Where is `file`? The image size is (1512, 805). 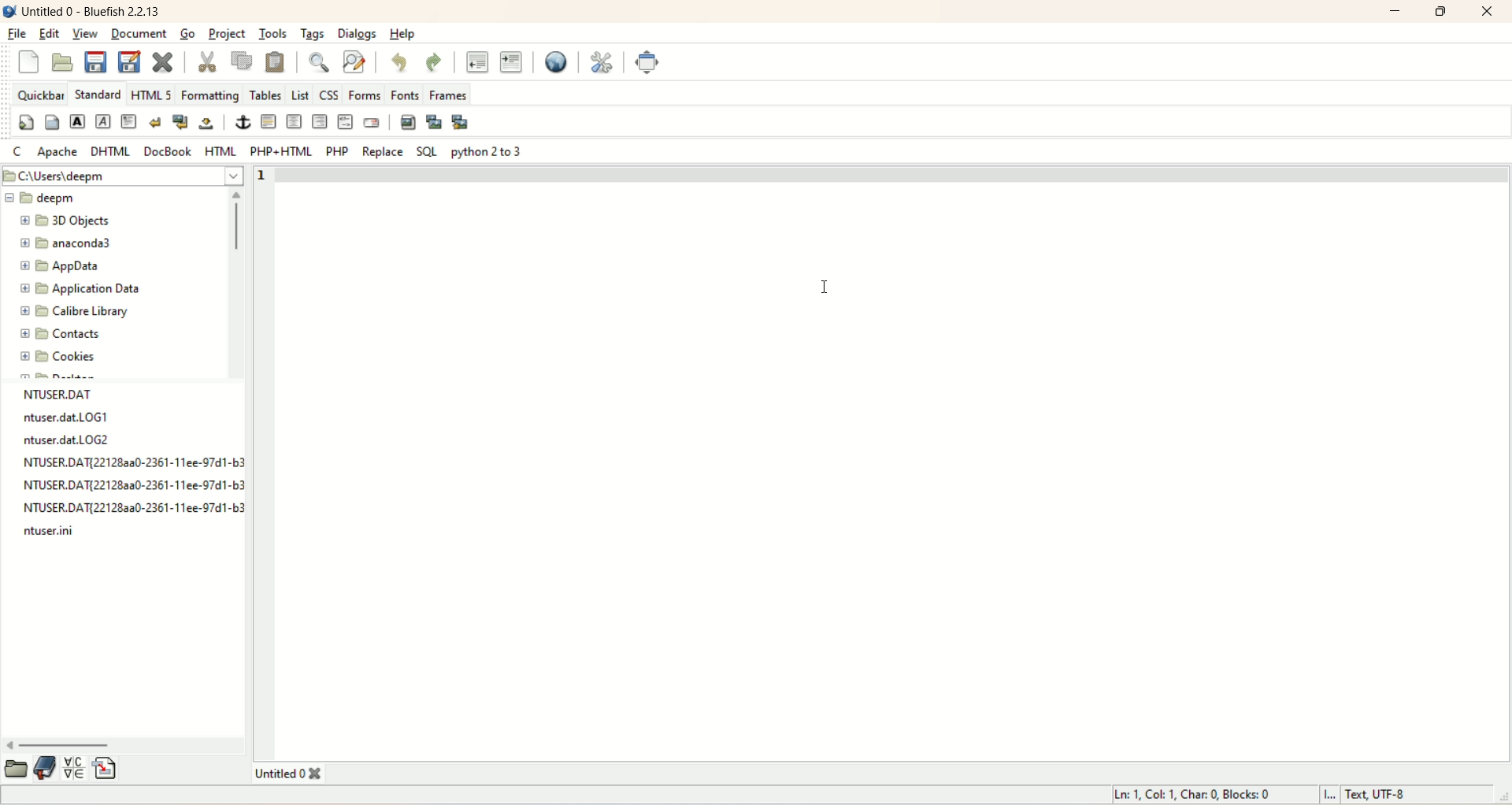
file is located at coordinates (17, 33).